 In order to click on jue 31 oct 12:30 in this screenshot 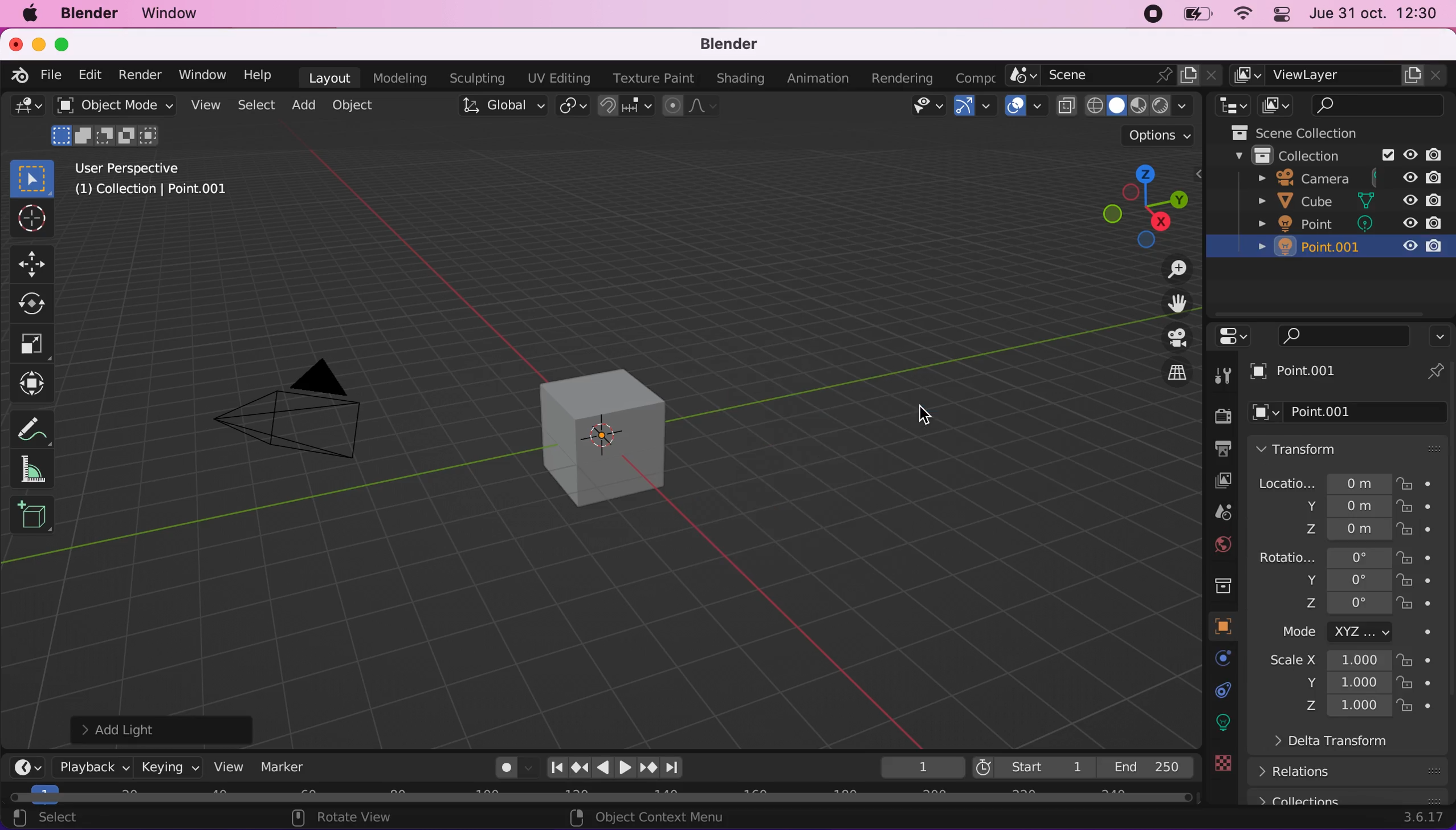, I will do `click(1373, 14)`.